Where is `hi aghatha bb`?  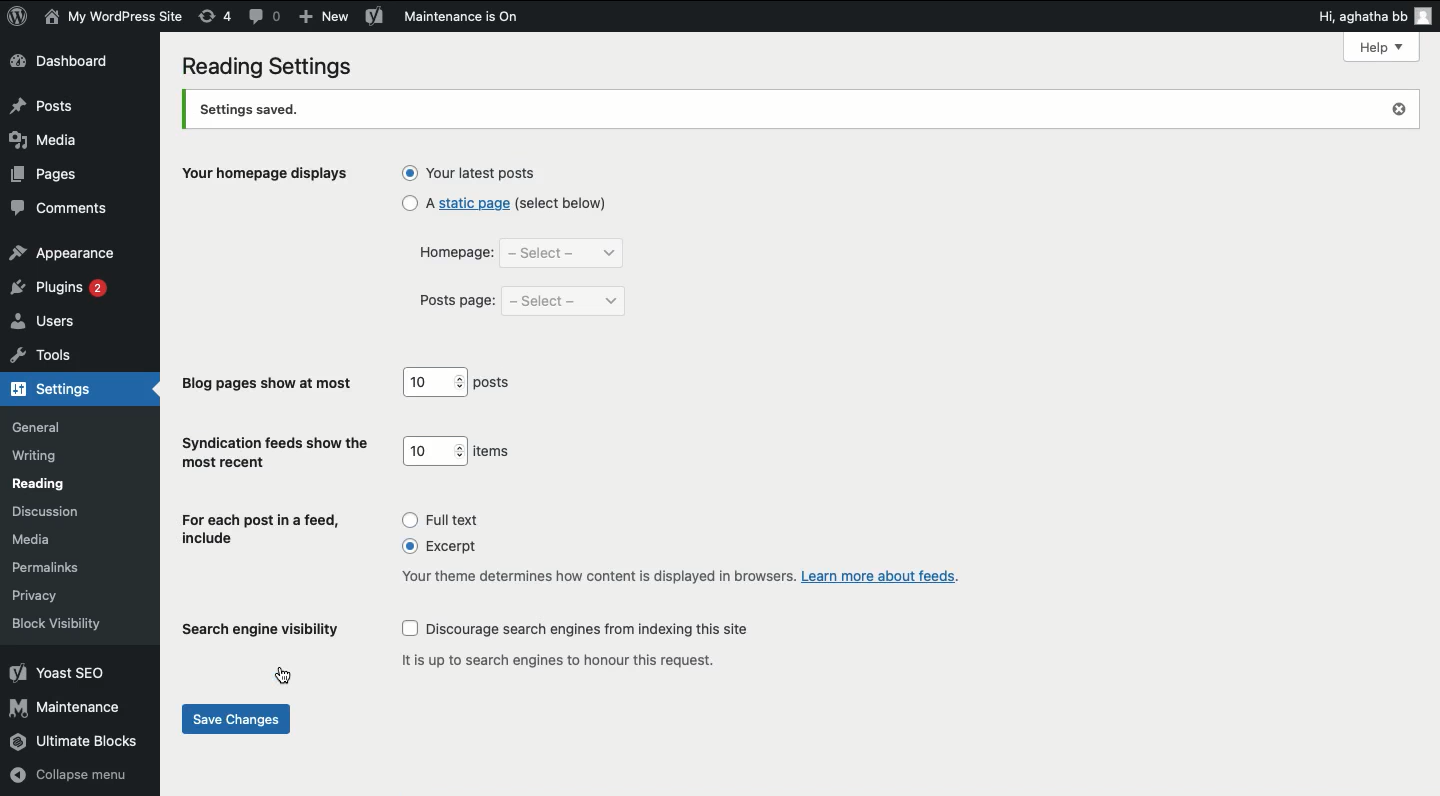
hi aghatha bb is located at coordinates (1376, 16).